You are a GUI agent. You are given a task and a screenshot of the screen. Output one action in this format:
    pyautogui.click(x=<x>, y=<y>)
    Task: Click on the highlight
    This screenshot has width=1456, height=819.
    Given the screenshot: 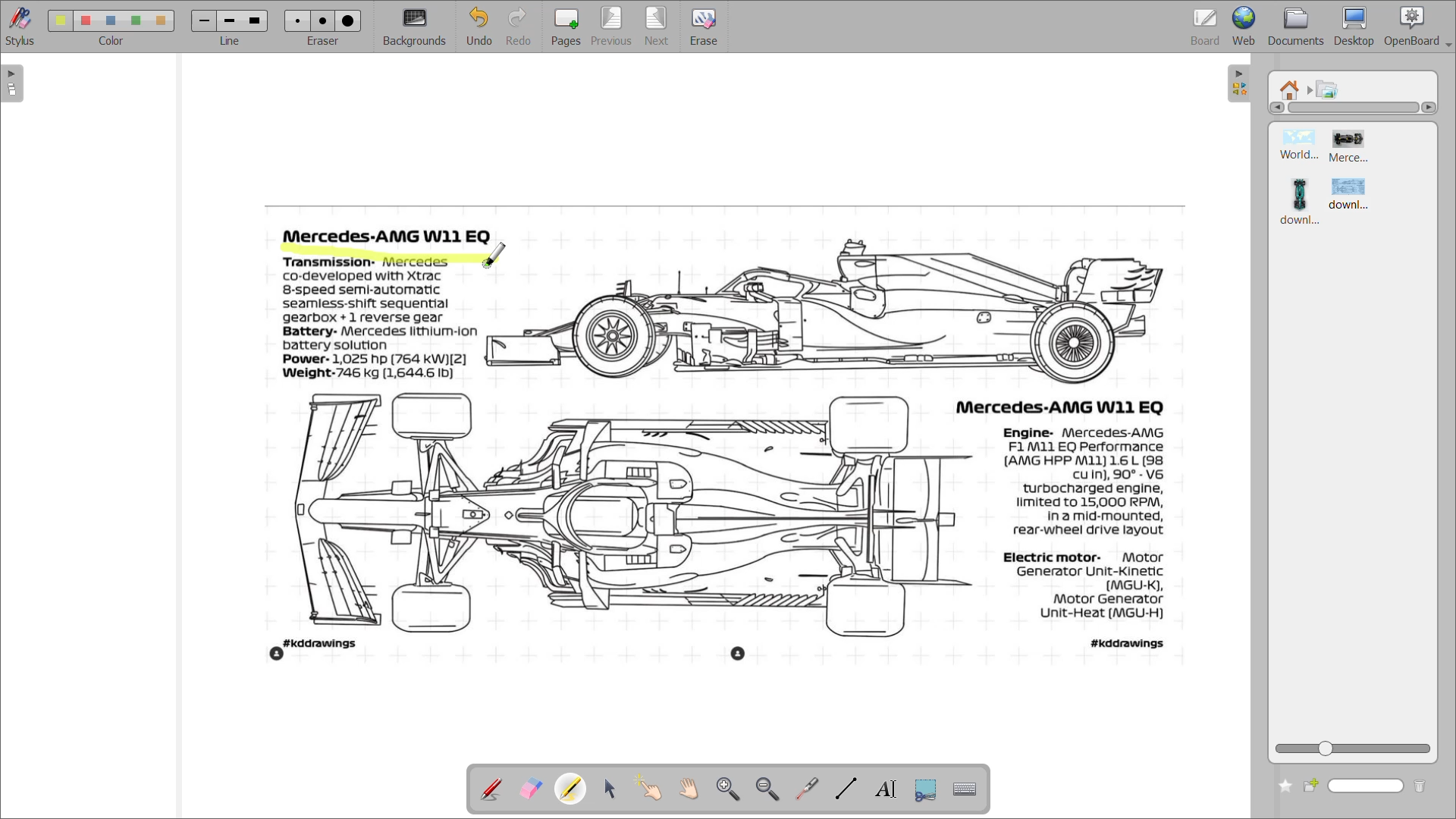 What is the action you would take?
    pyautogui.click(x=573, y=789)
    